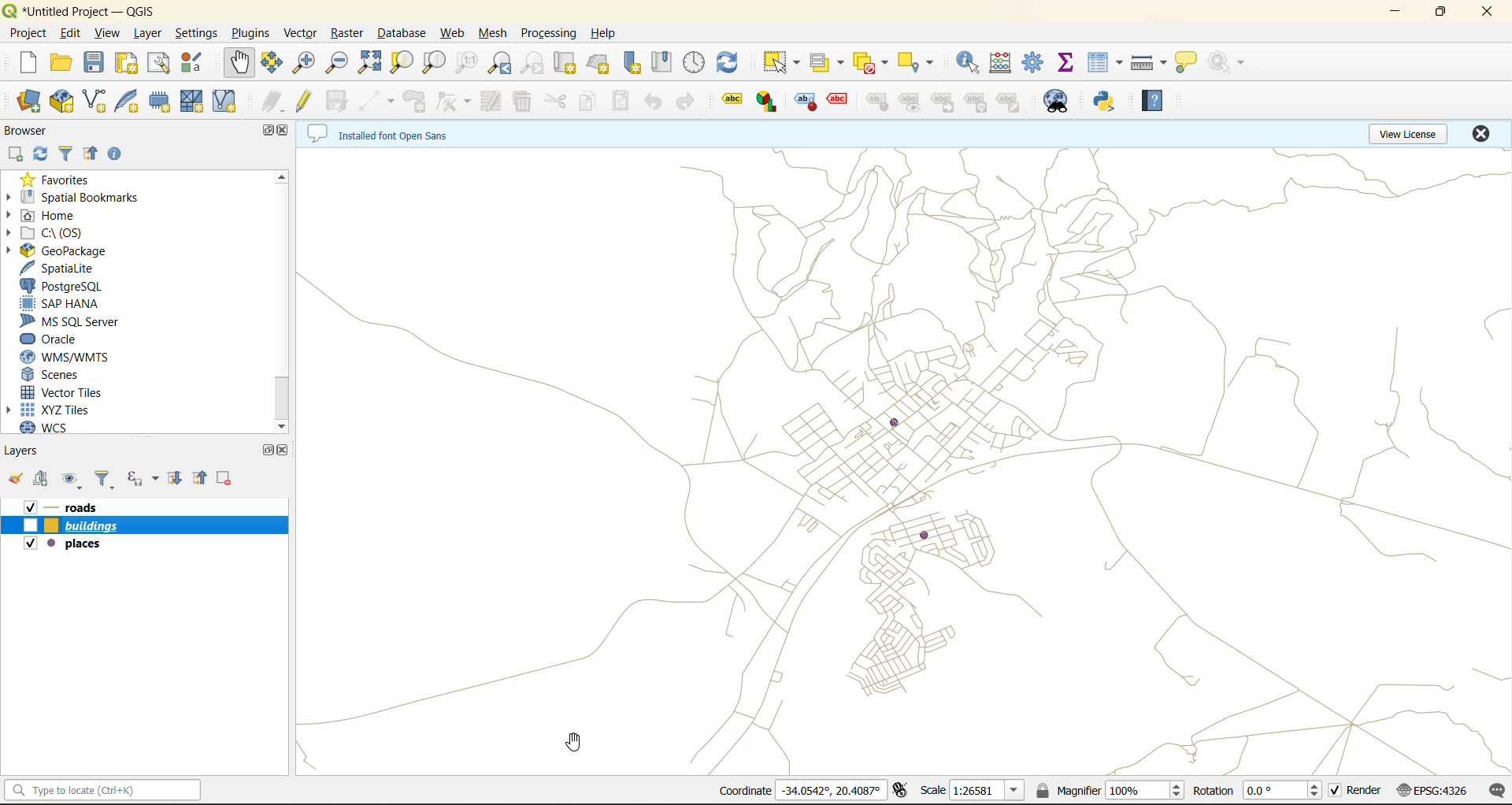 The height and width of the screenshot is (805, 1512). What do you see at coordinates (1492, 790) in the screenshot?
I see `log messages` at bounding box center [1492, 790].